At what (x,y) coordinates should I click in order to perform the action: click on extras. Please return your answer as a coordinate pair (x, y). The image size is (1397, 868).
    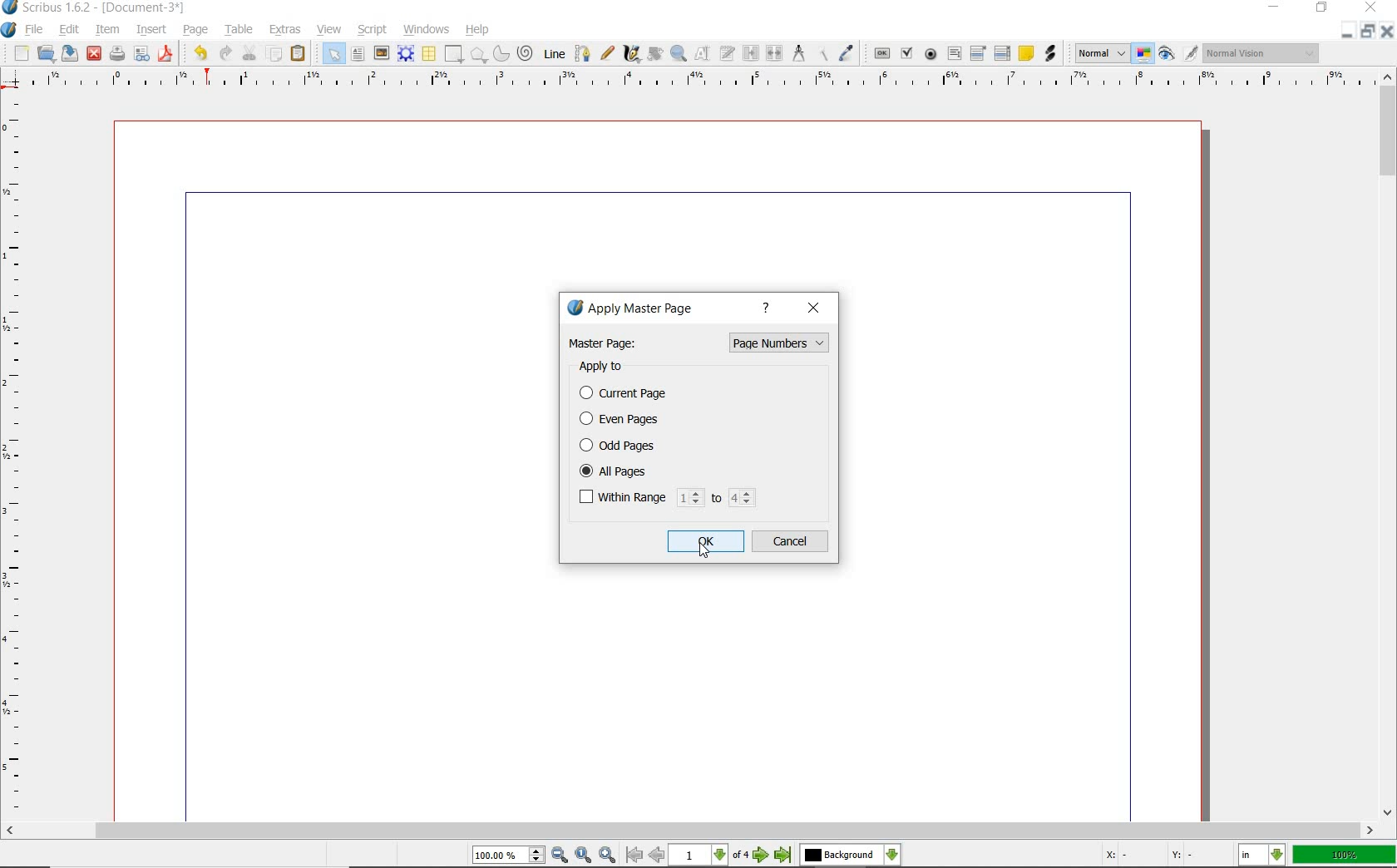
    Looking at the image, I should click on (284, 27).